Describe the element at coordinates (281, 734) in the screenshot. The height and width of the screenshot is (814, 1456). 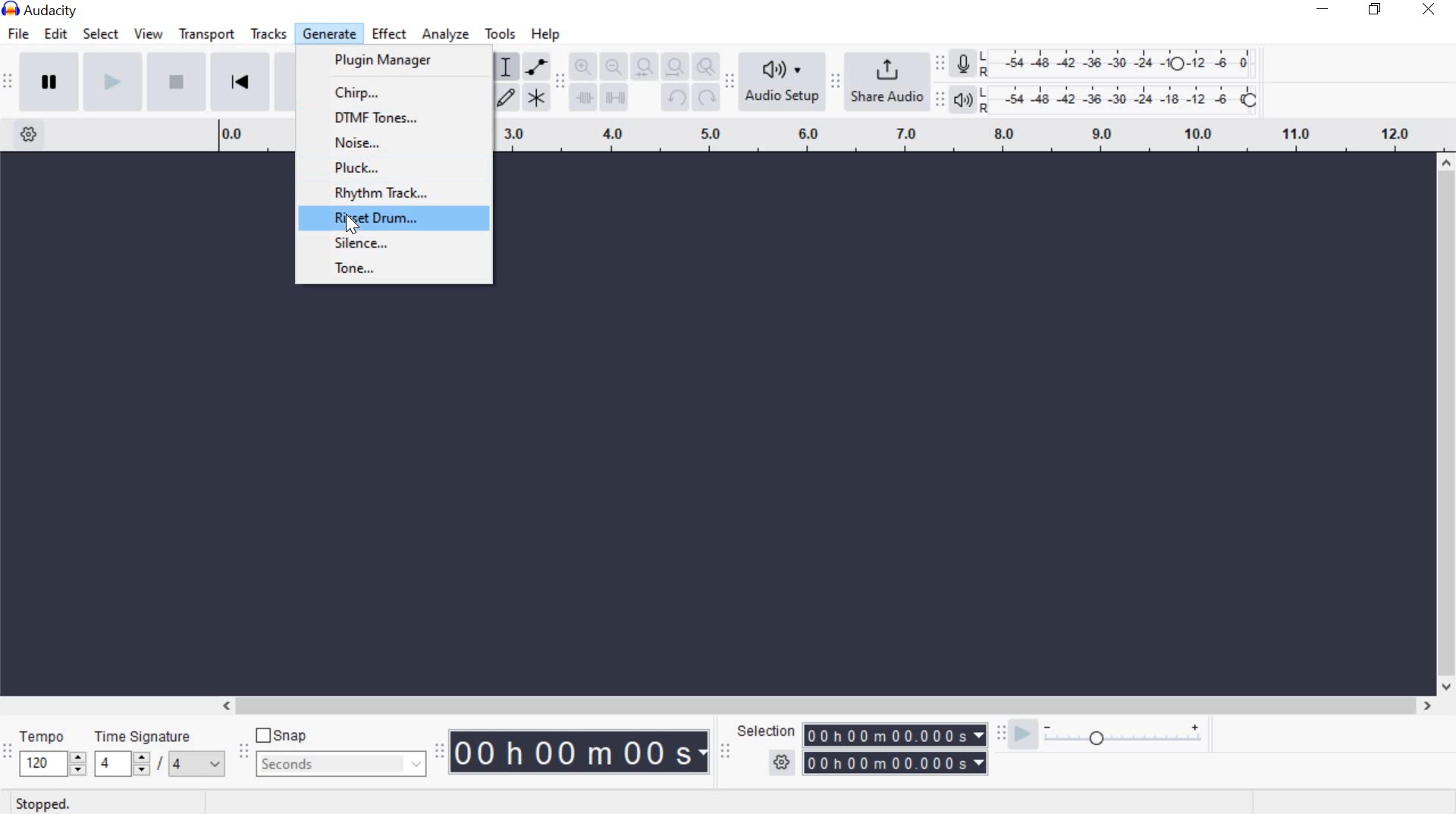
I see `snap` at that location.